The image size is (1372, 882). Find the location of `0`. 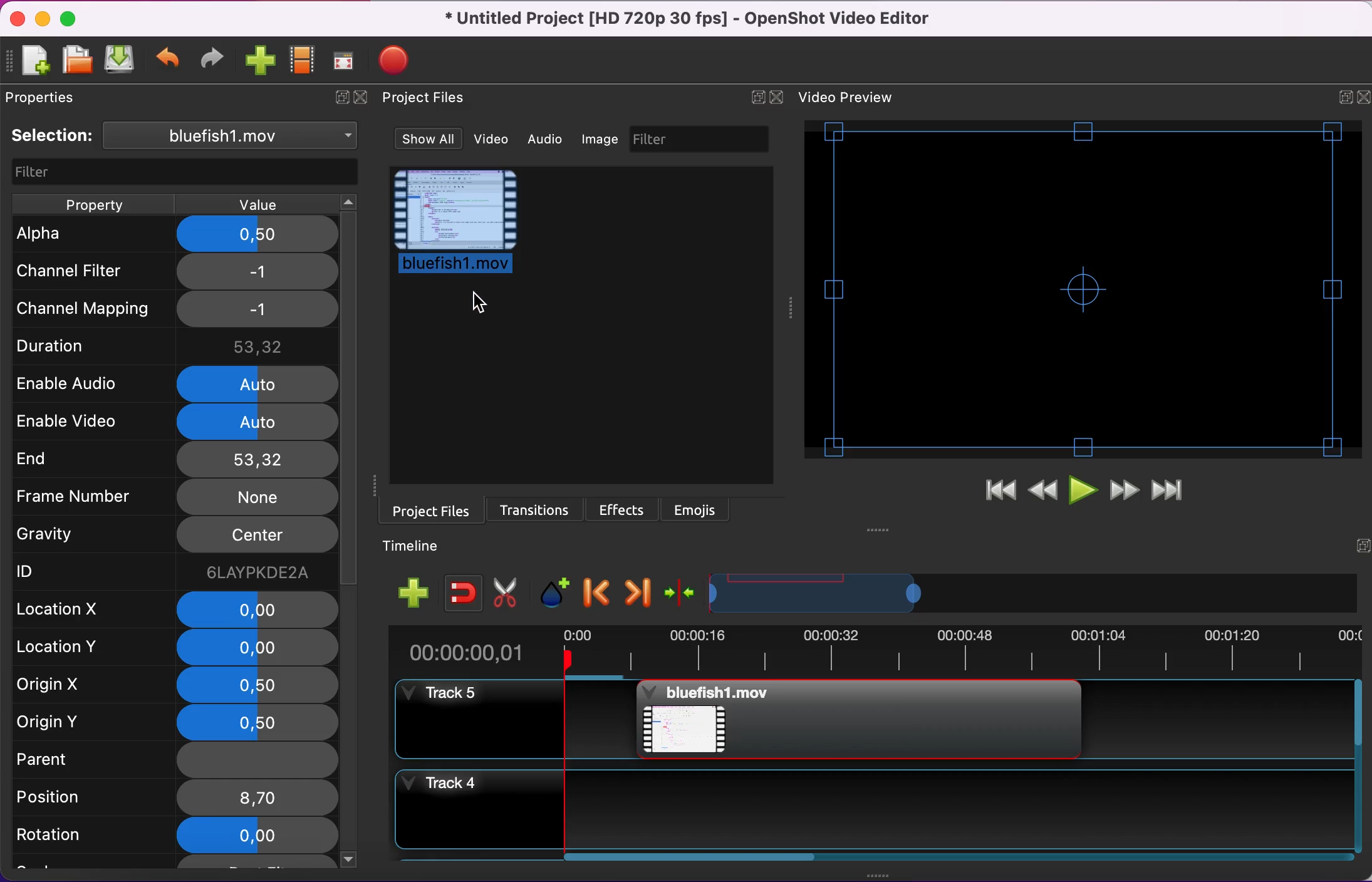

0 is located at coordinates (254, 836).